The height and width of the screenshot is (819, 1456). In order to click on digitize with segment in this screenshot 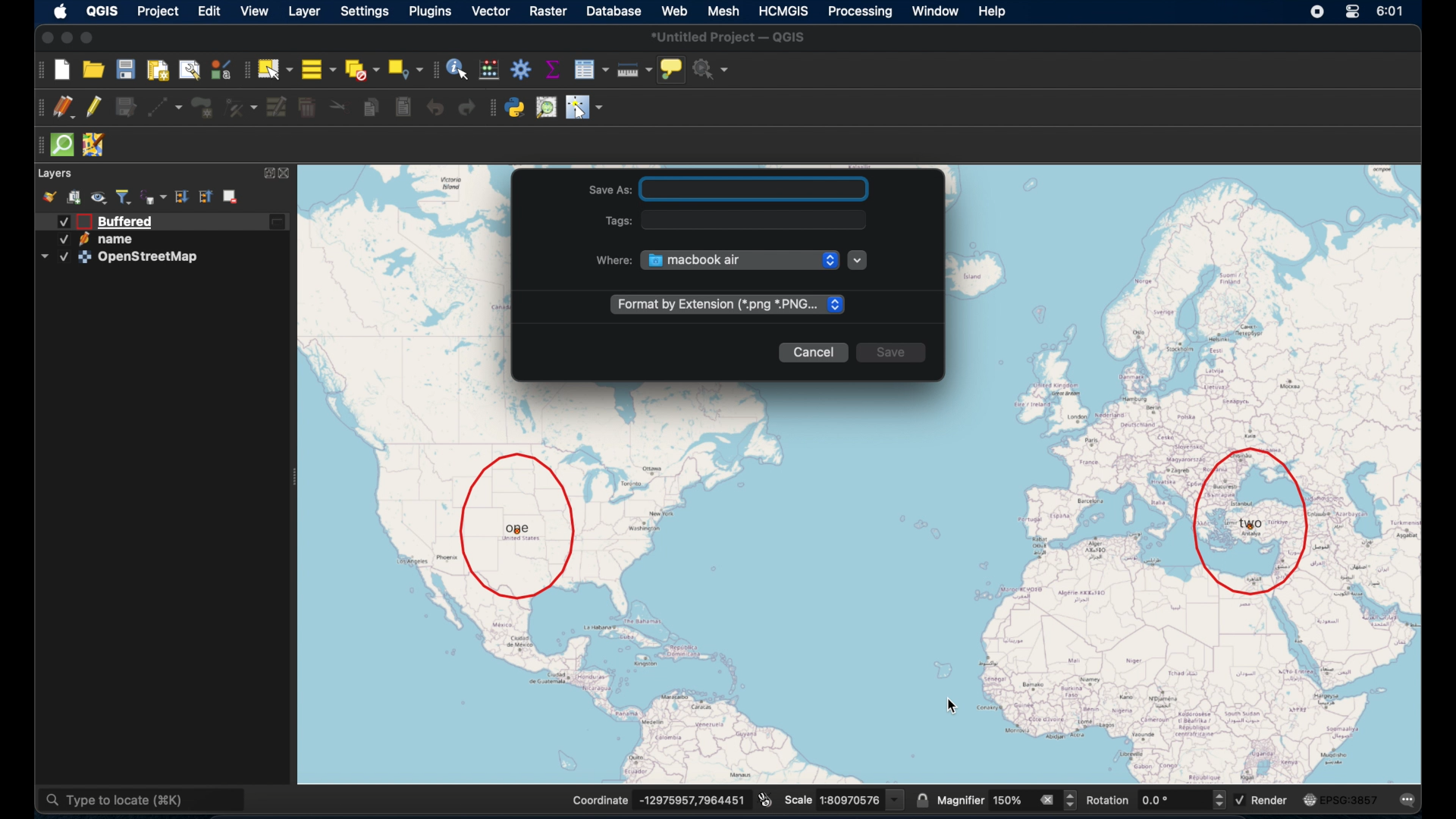, I will do `click(166, 106)`.